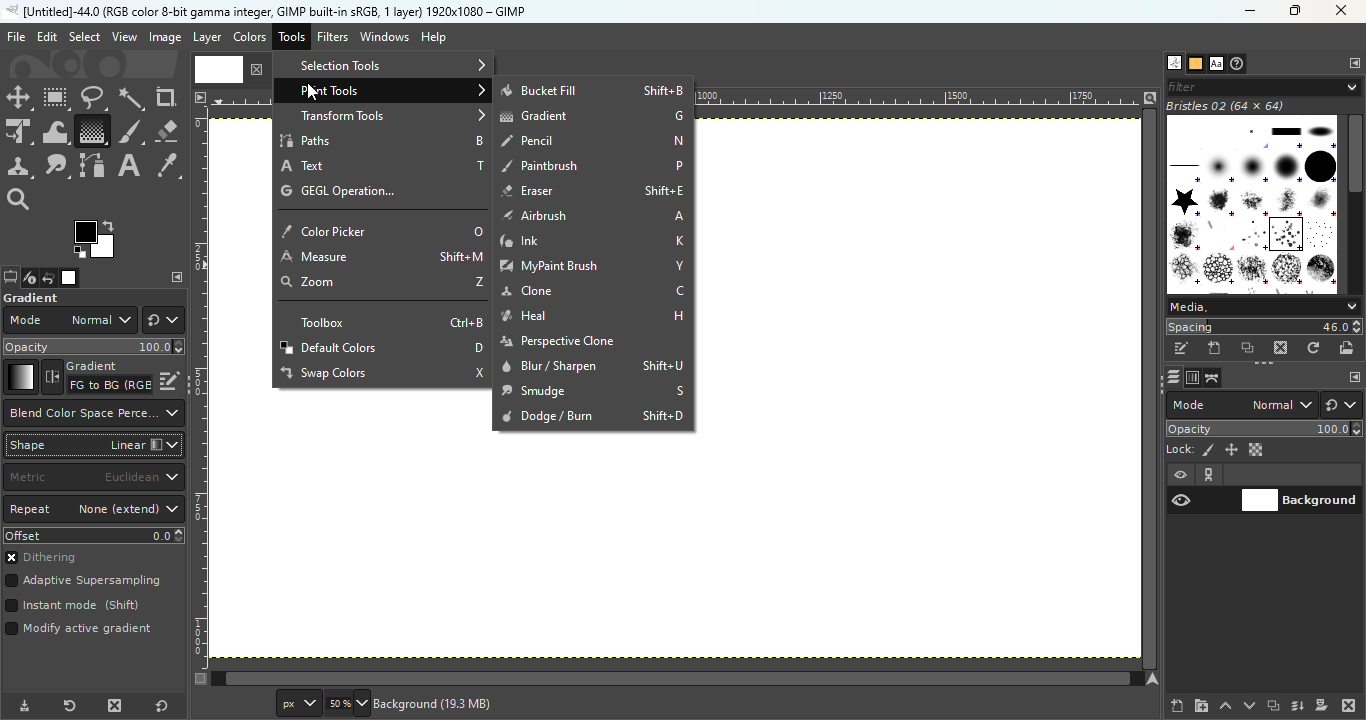  What do you see at coordinates (49, 277) in the screenshot?
I see `Open the undo history dialog` at bounding box center [49, 277].